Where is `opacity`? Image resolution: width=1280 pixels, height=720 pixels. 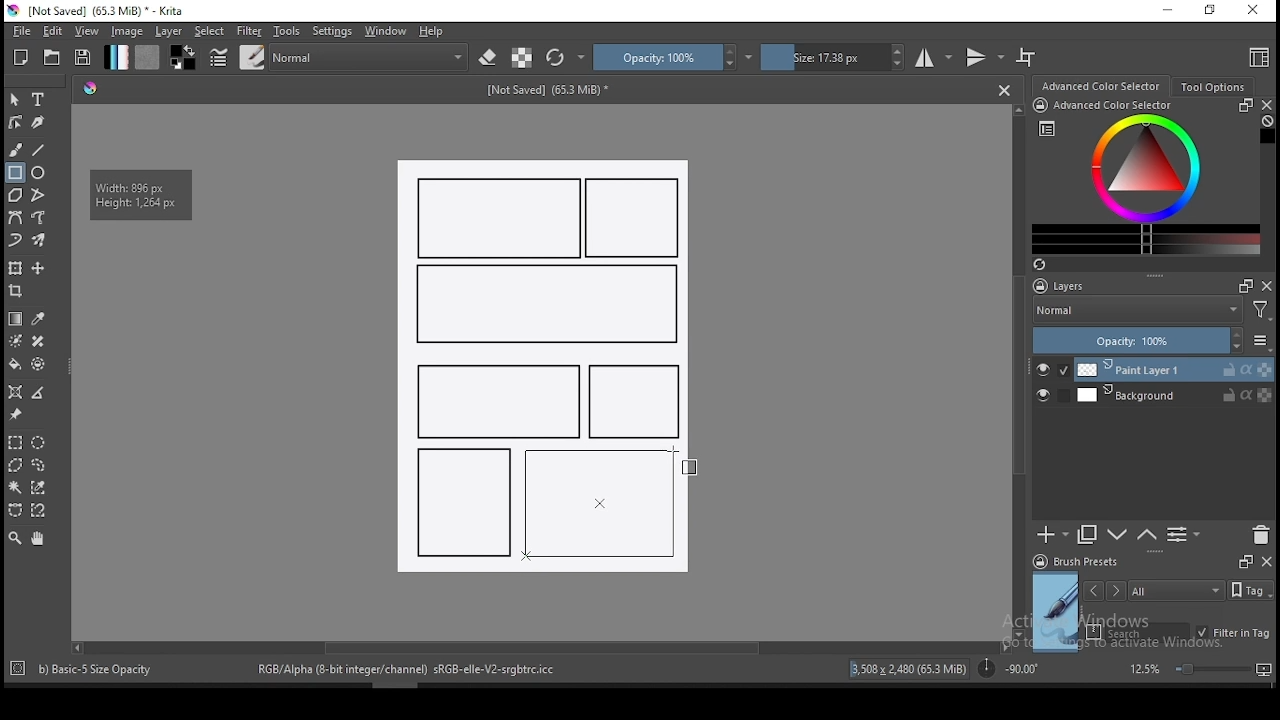
opacity is located at coordinates (673, 57).